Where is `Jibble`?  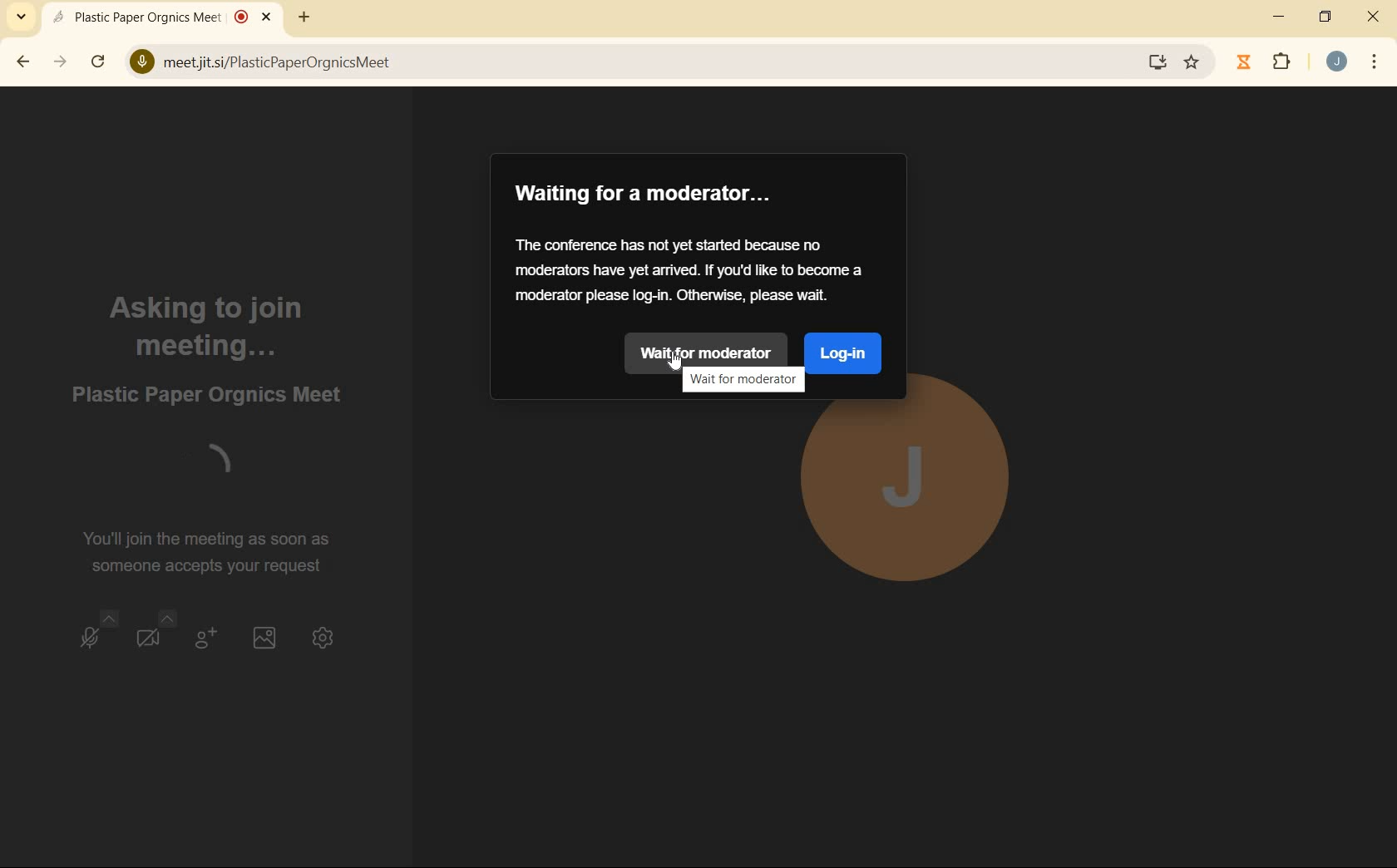 Jibble is located at coordinates (1244, 64).